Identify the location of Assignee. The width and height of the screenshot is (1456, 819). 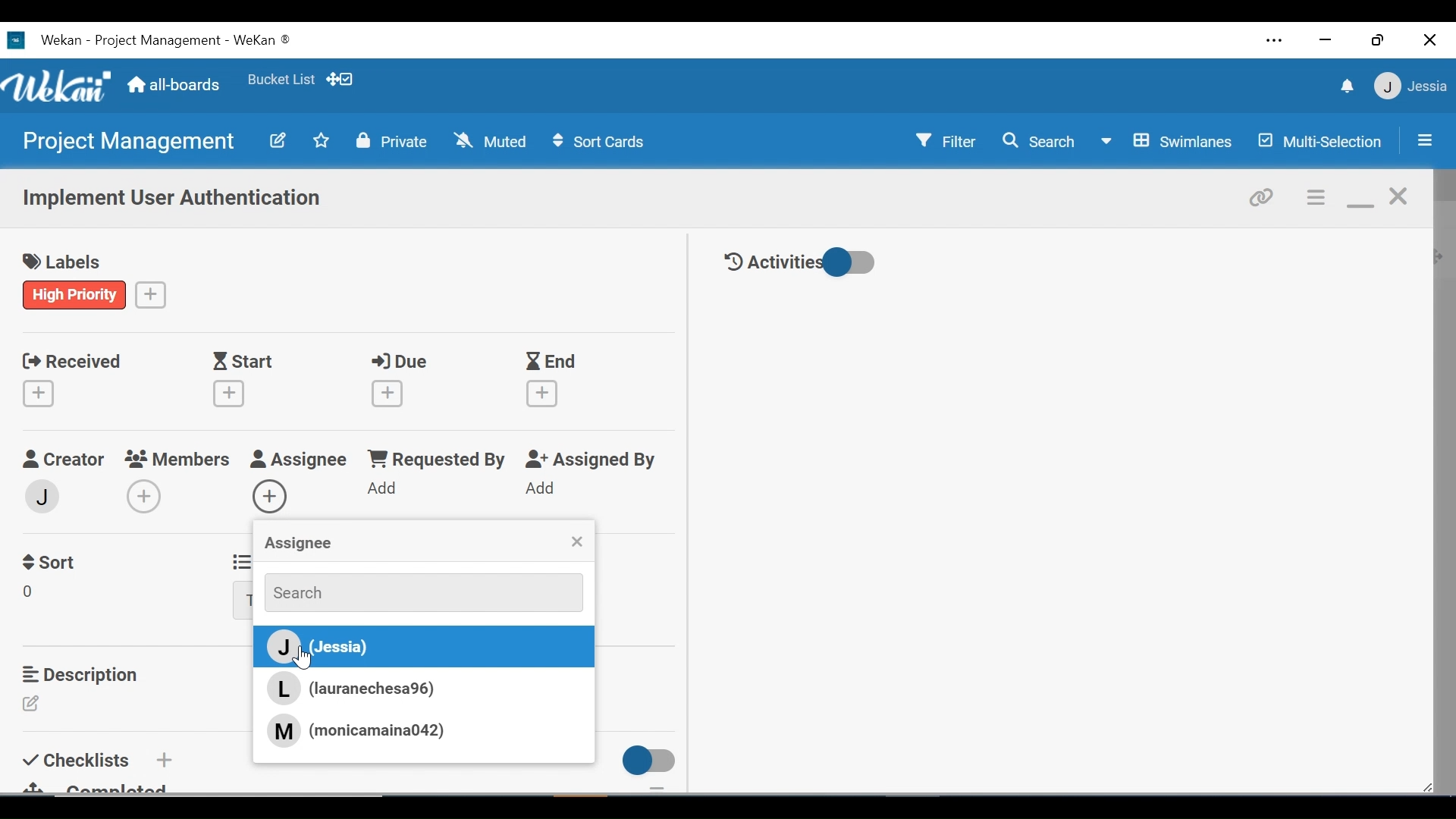
(297, 544).